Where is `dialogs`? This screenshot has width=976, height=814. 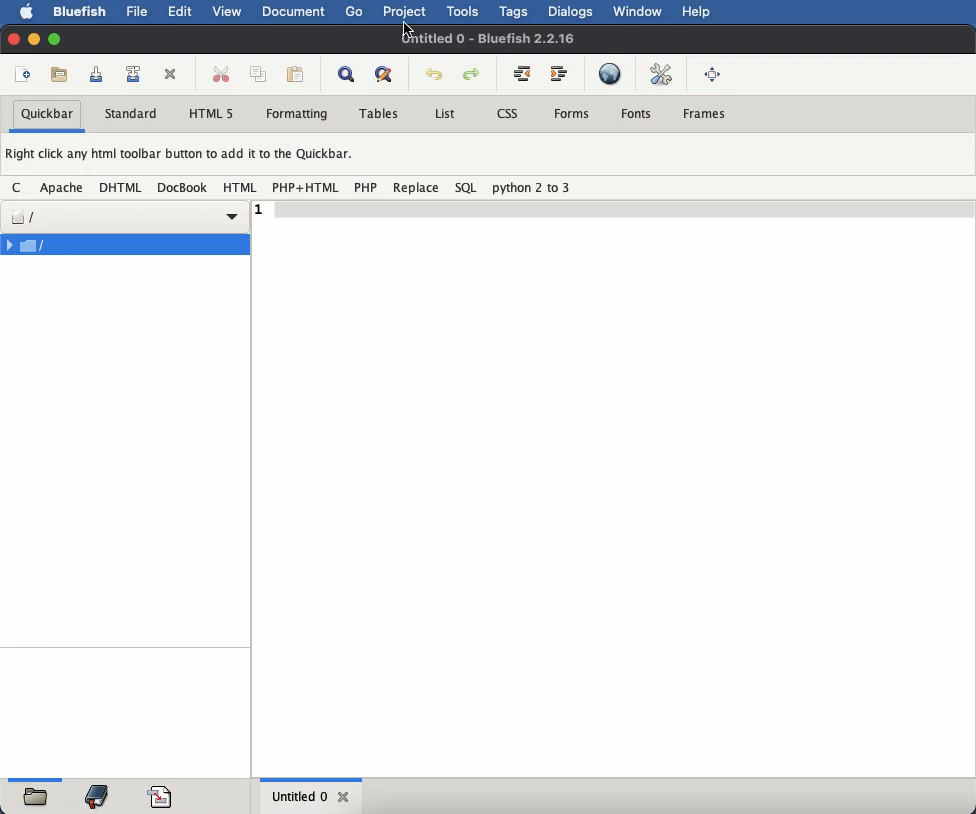 dialogs is located at coordinates (571, 11).